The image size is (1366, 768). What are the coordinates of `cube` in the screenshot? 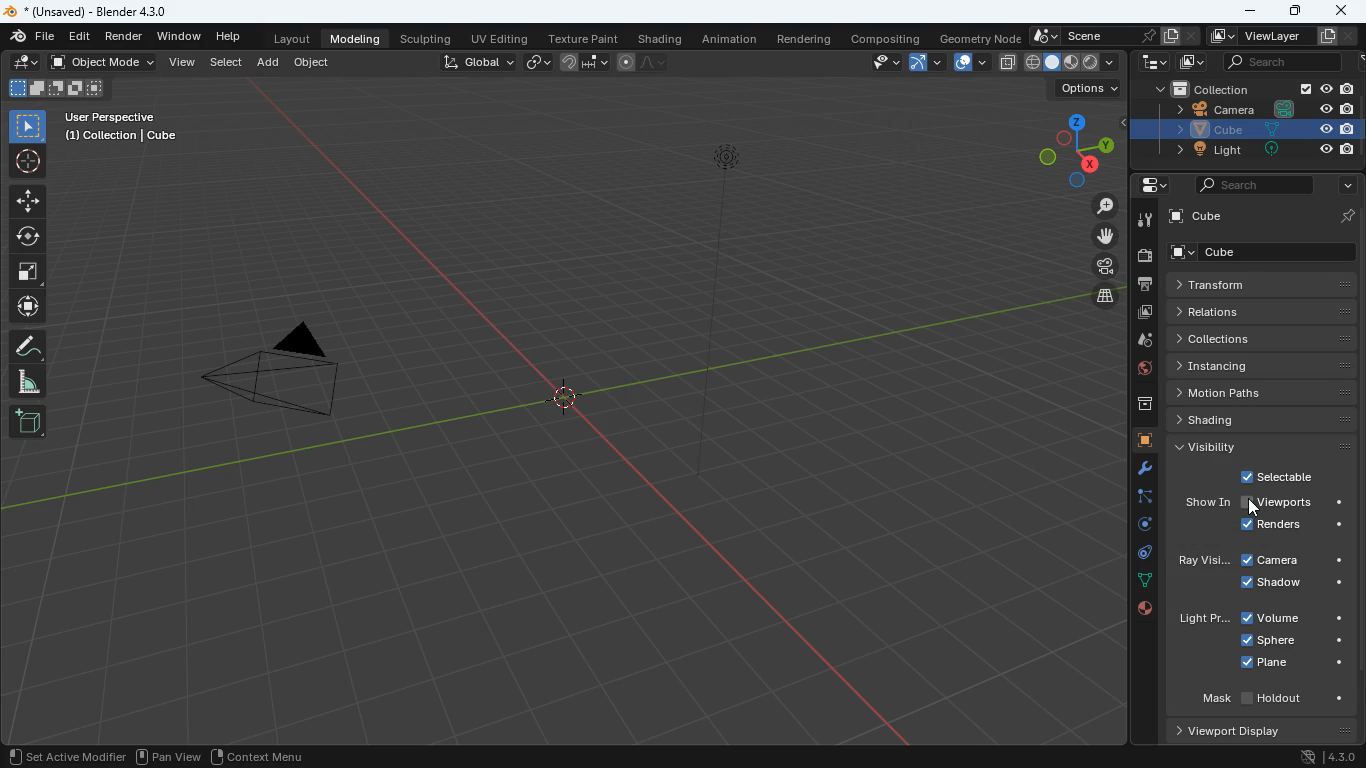 It's located at (1138, 441).